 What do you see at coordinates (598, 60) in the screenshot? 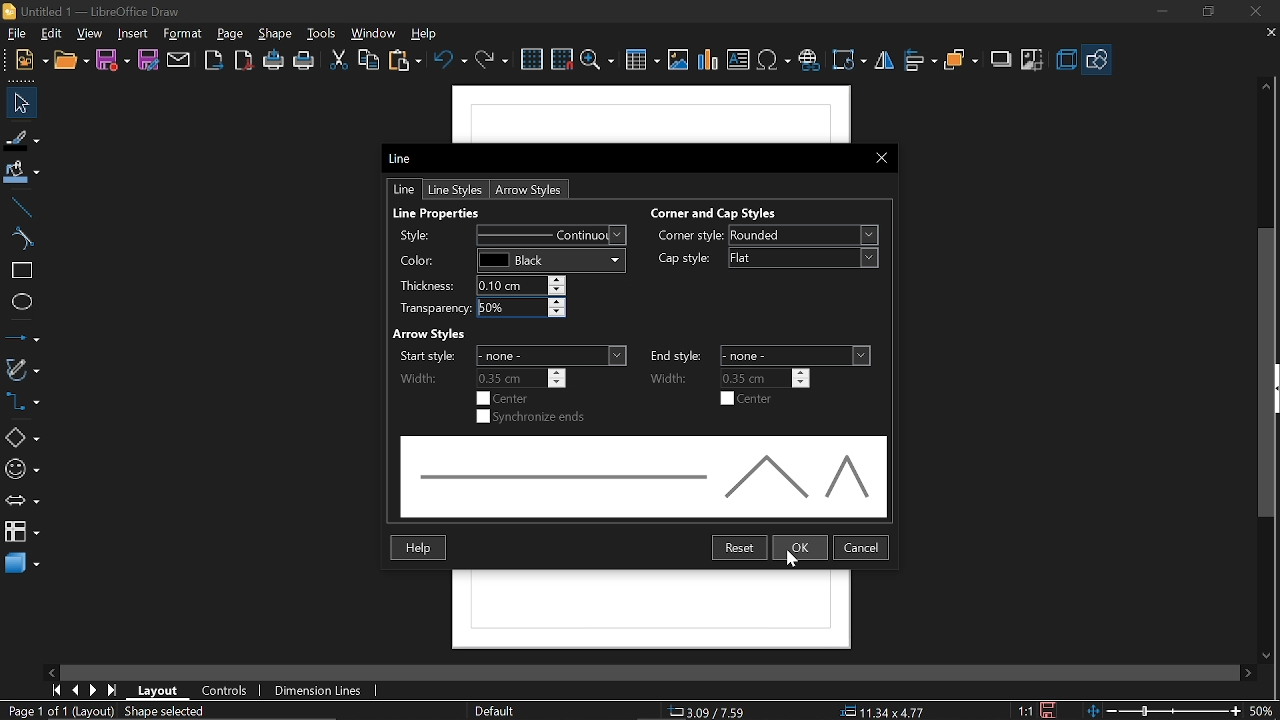
I see `zoom` at bounding box center [598, 60].